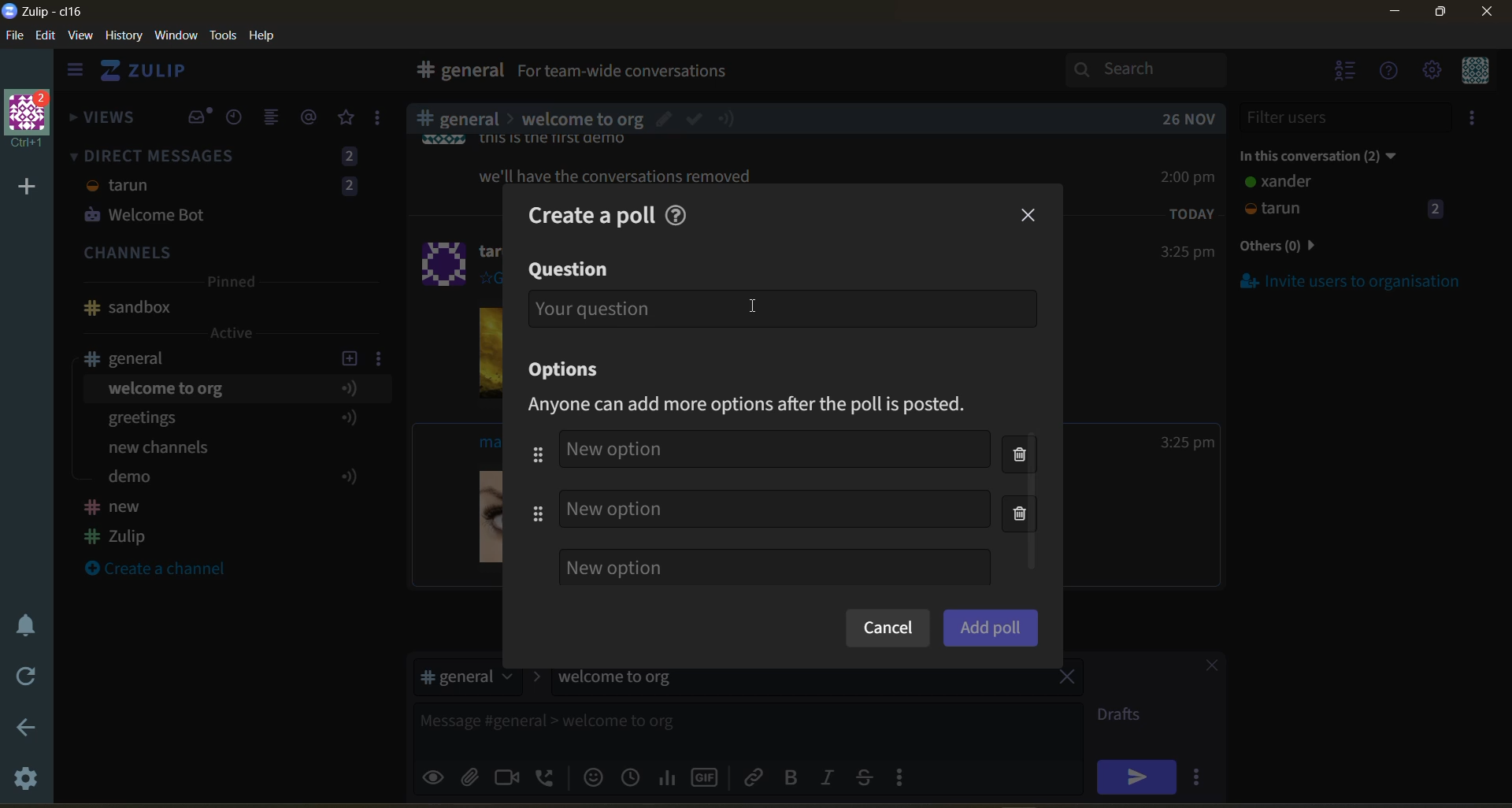  Describe the element at coordinates (228, 188) in the screenshot. I see `direct messages` at that location.